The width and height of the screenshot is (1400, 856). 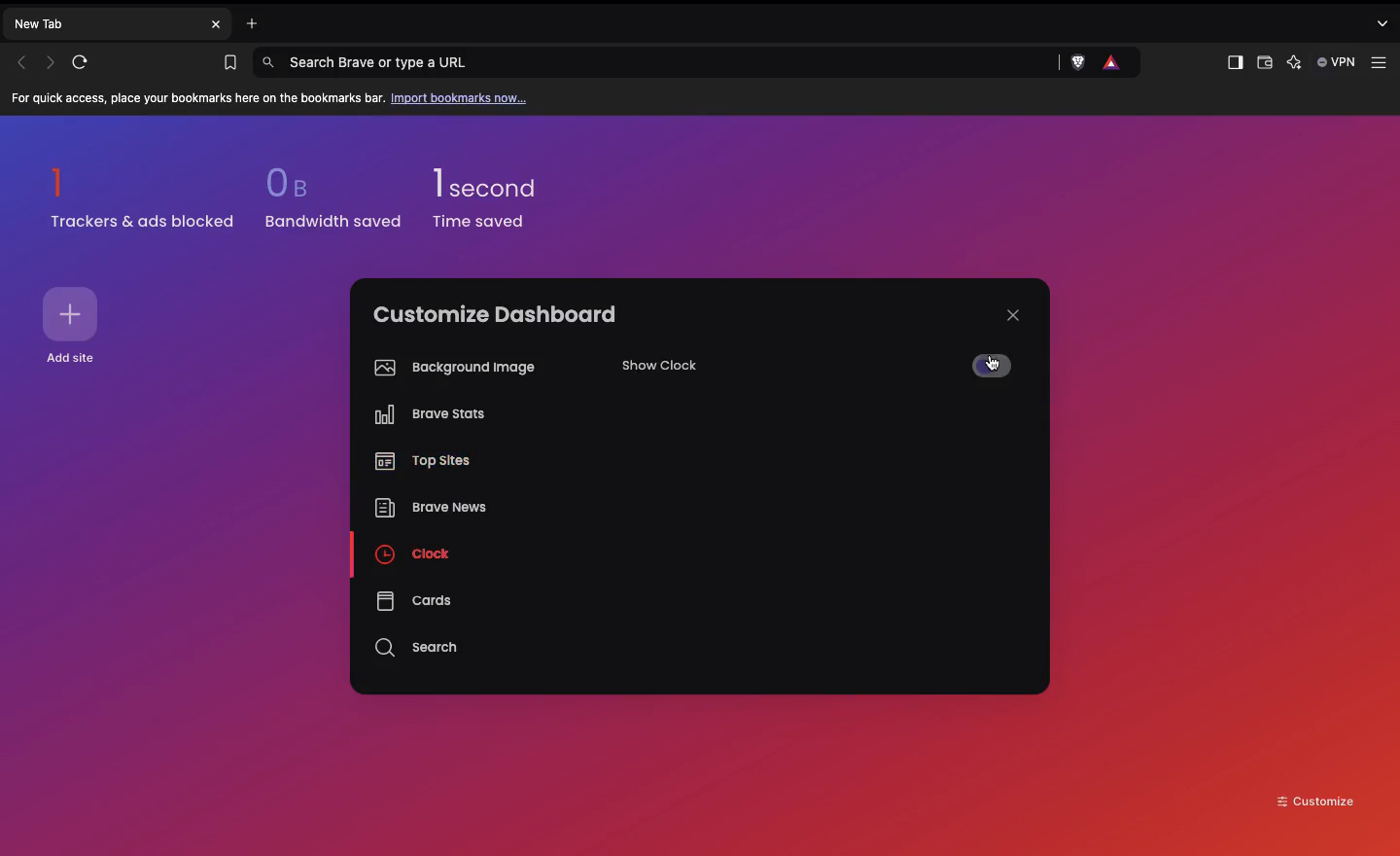 I want to click on New background, so click(x=1003, y=195).